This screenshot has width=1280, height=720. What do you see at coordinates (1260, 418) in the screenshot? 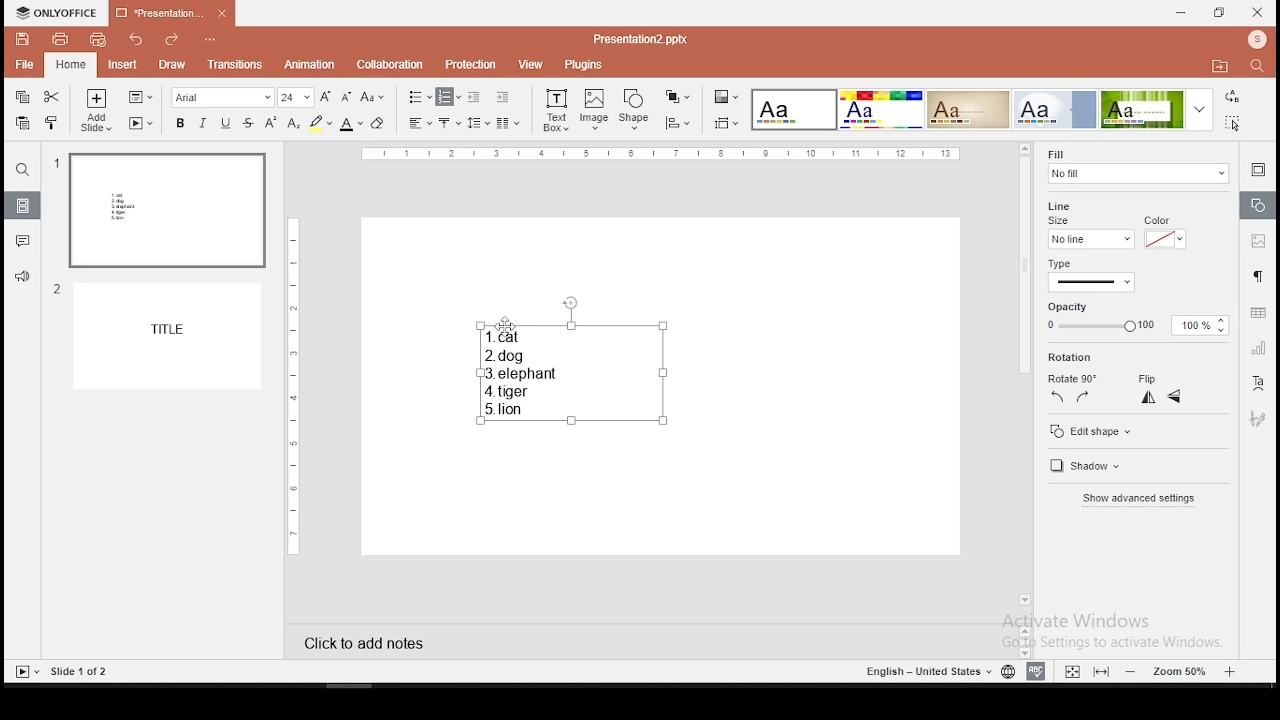
I see `` at bounding box center [1260, 418].